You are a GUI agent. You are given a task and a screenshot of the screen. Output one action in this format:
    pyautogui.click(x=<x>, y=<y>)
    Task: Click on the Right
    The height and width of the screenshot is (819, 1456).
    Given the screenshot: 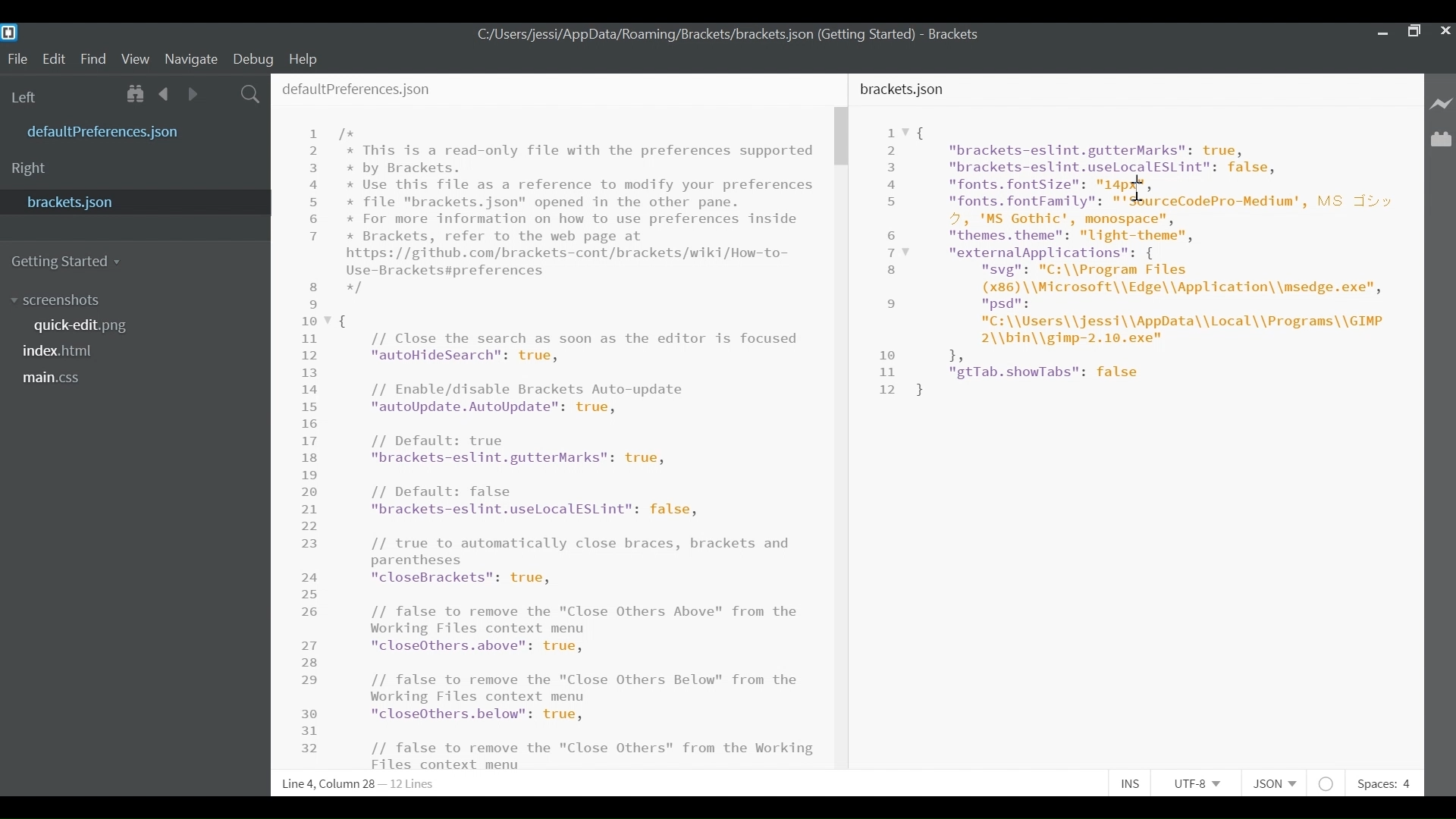 What is the action you would take?
    pyautogui.click(x=30, y=168)
    